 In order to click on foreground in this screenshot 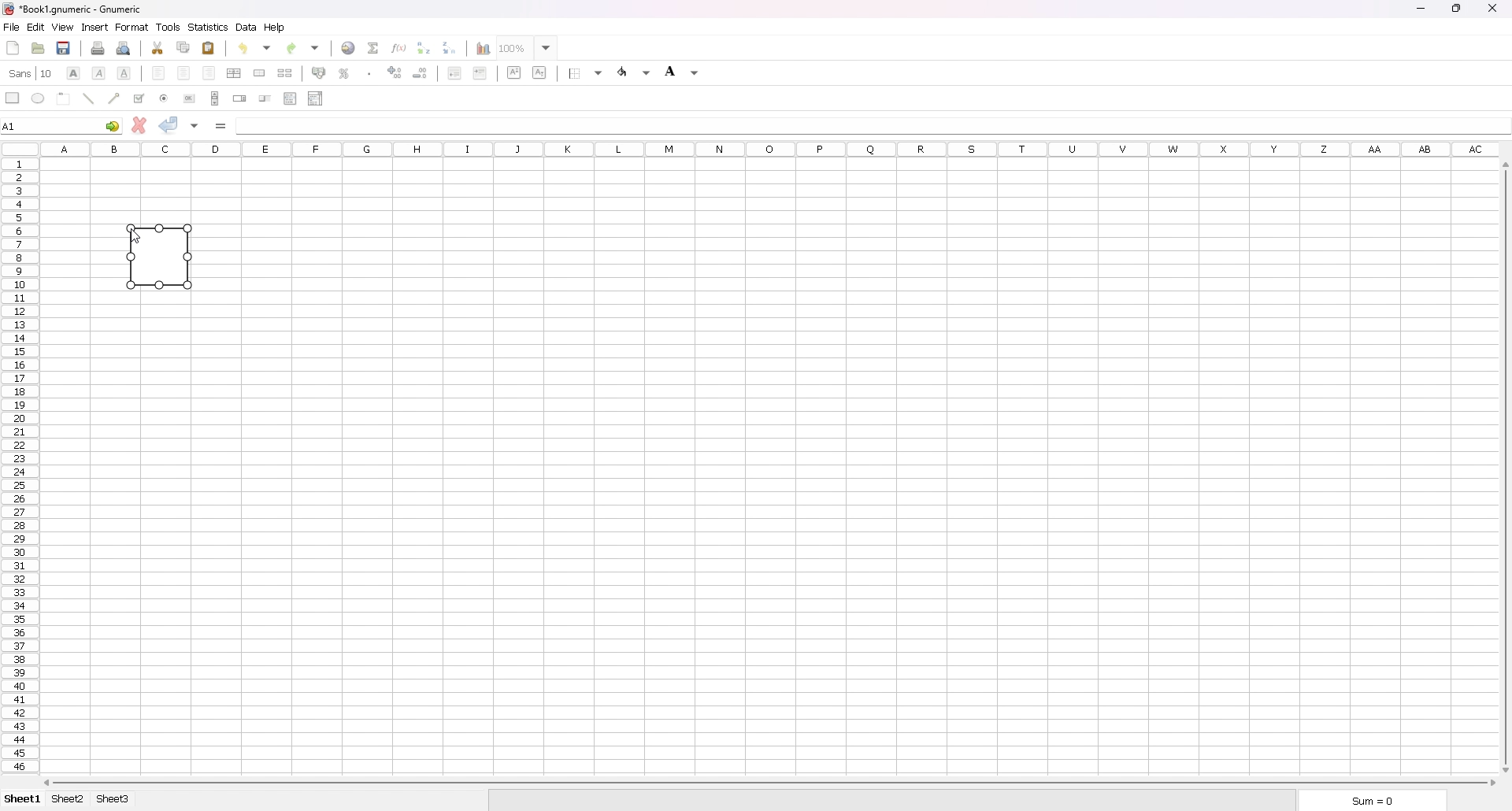, I will do `click(636, 72)`.